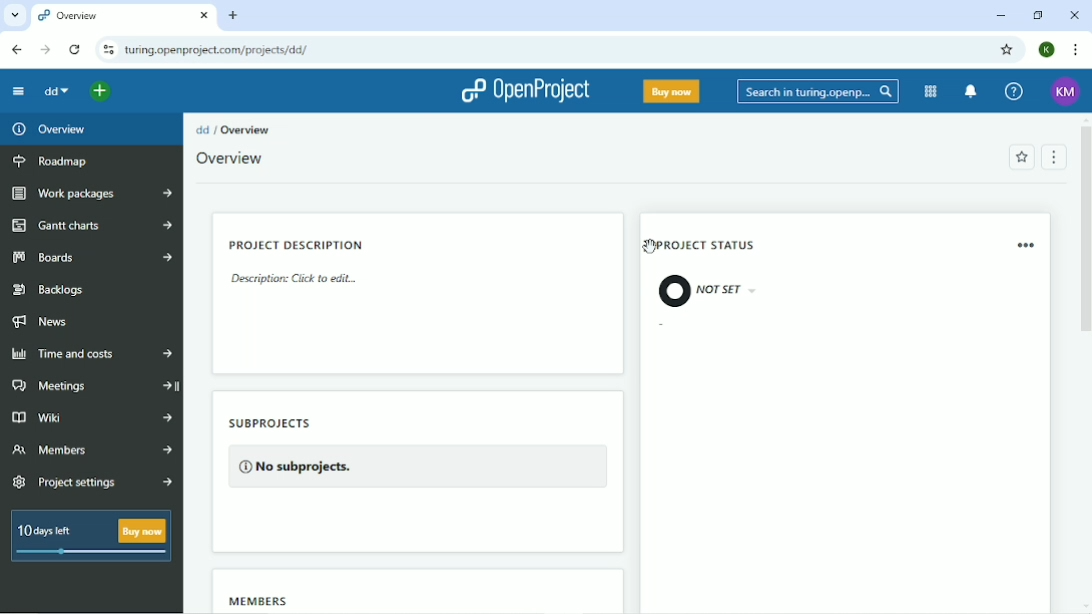  I want to click on News, so click(44, 322).